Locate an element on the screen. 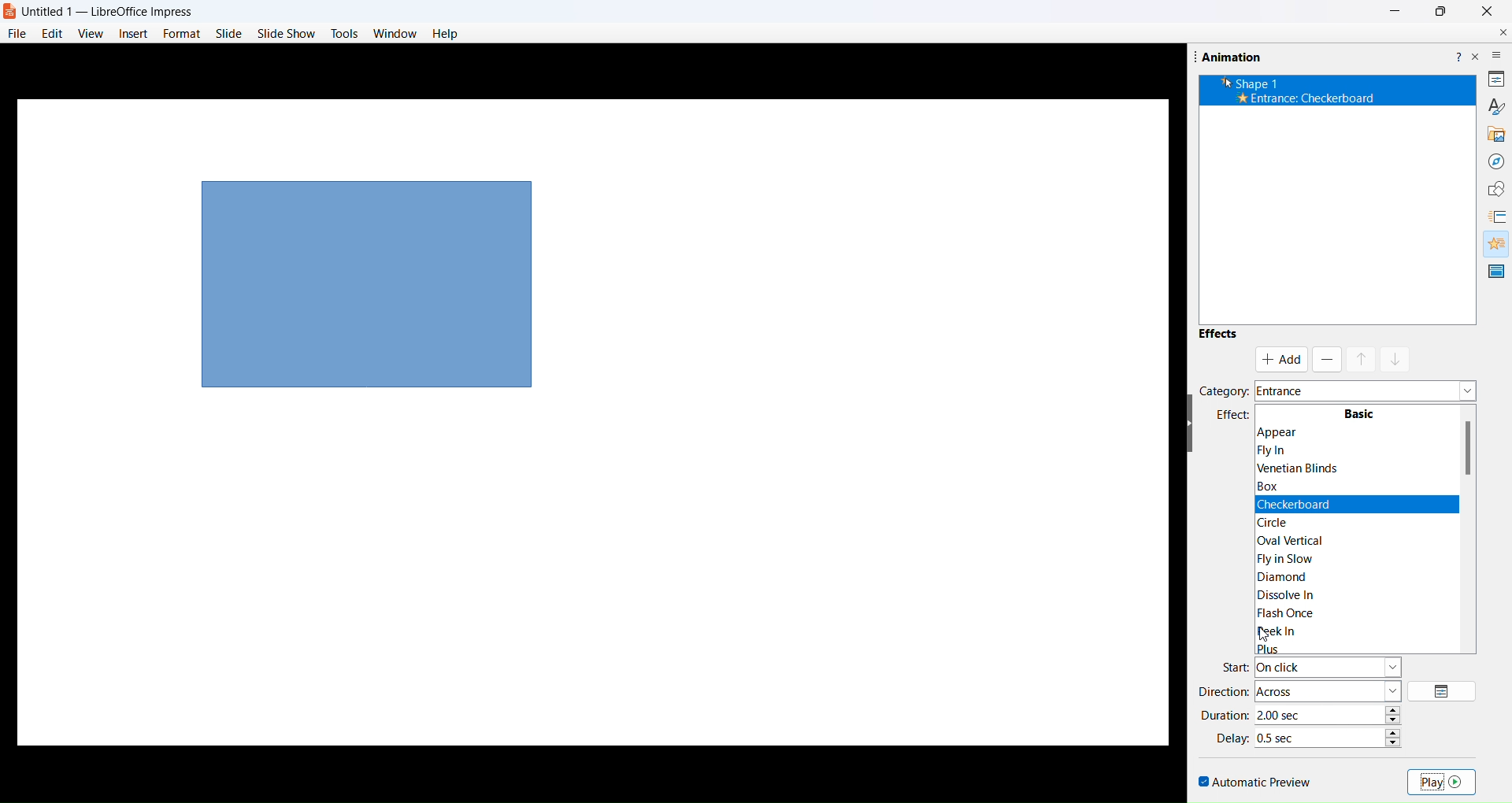 This screenshot has height=803, width=1512. tools is located at coordinates (344, 33).